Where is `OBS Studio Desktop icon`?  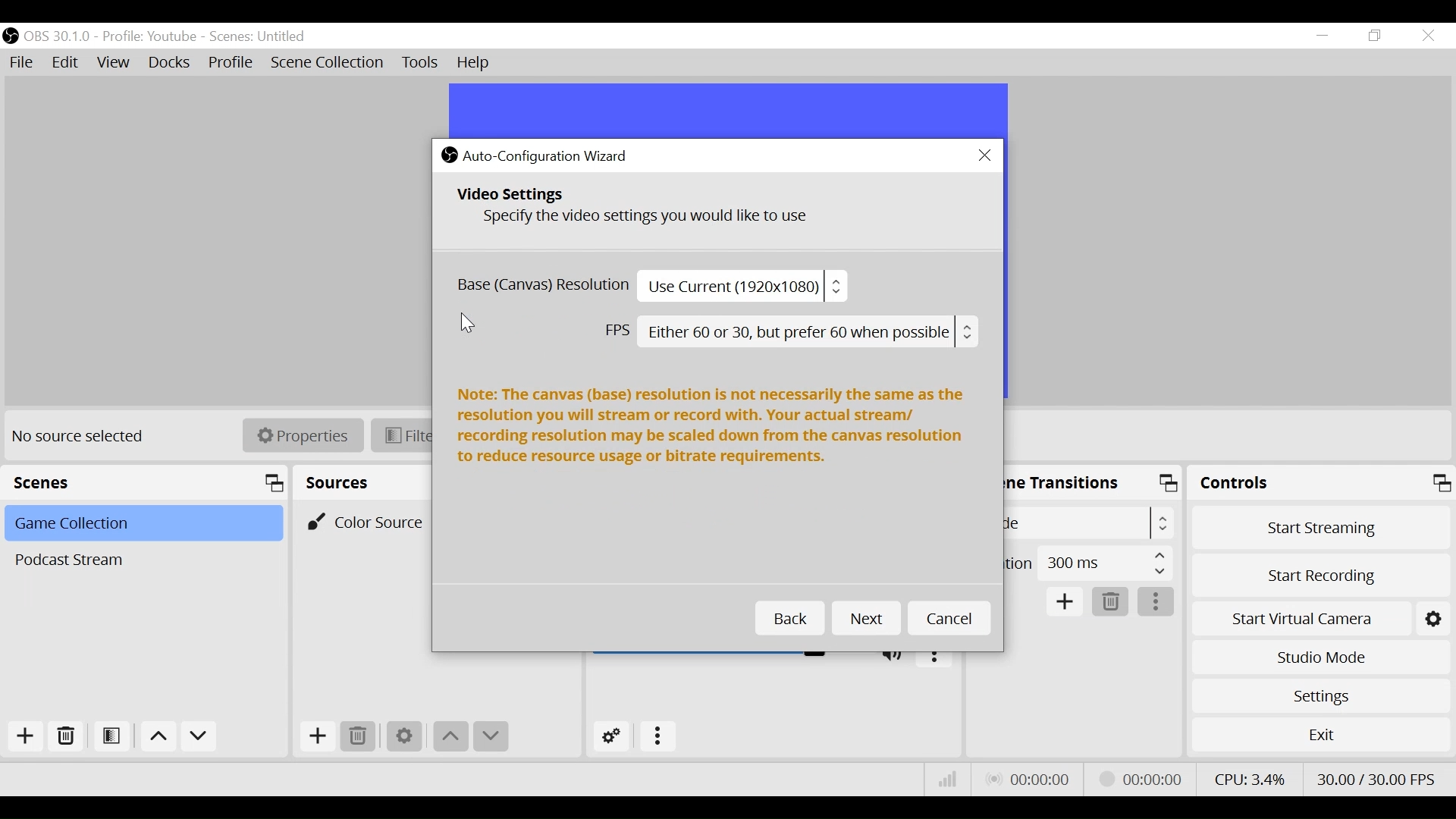 OBS Studio Desktop icon is located at coordinates (449, 154).